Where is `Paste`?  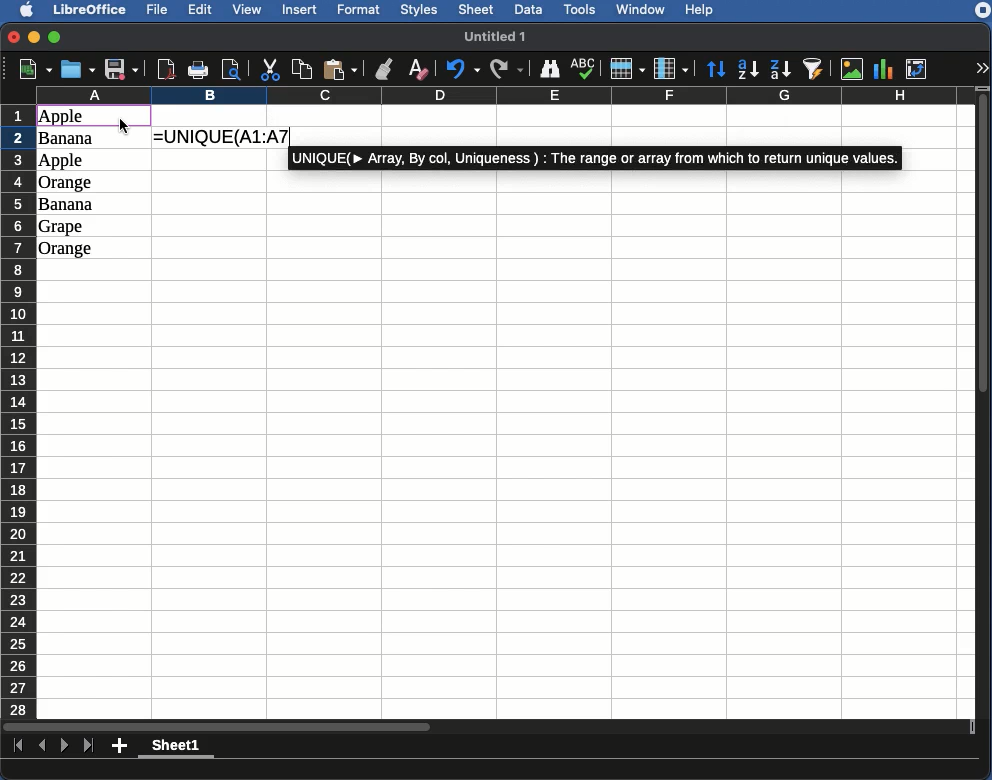
Paste is located at coordinates (342, 69).